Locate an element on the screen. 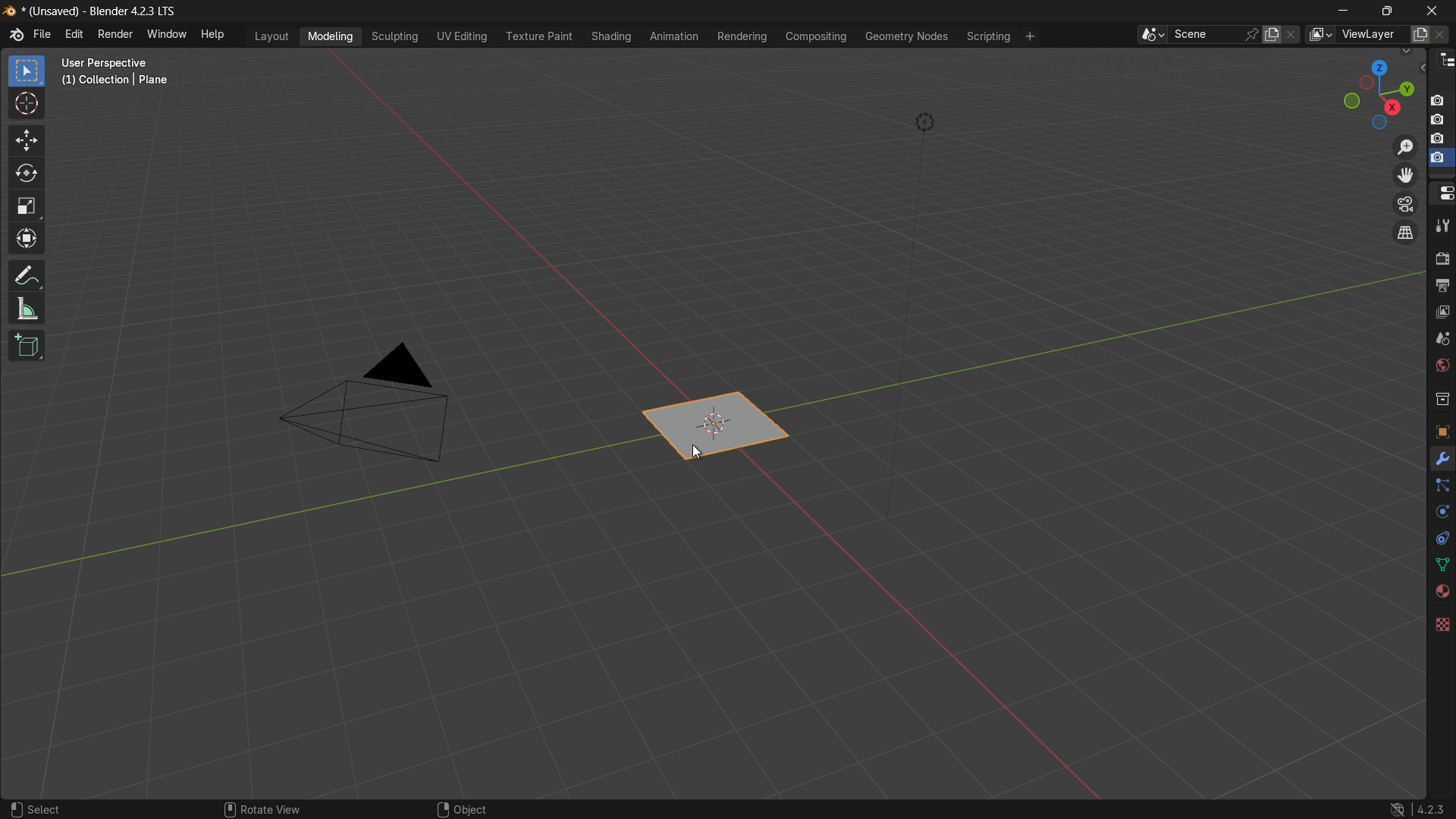 This screenshot has width=1456, height=819. pin scene to workplace is located at coordinates (1251, 36).